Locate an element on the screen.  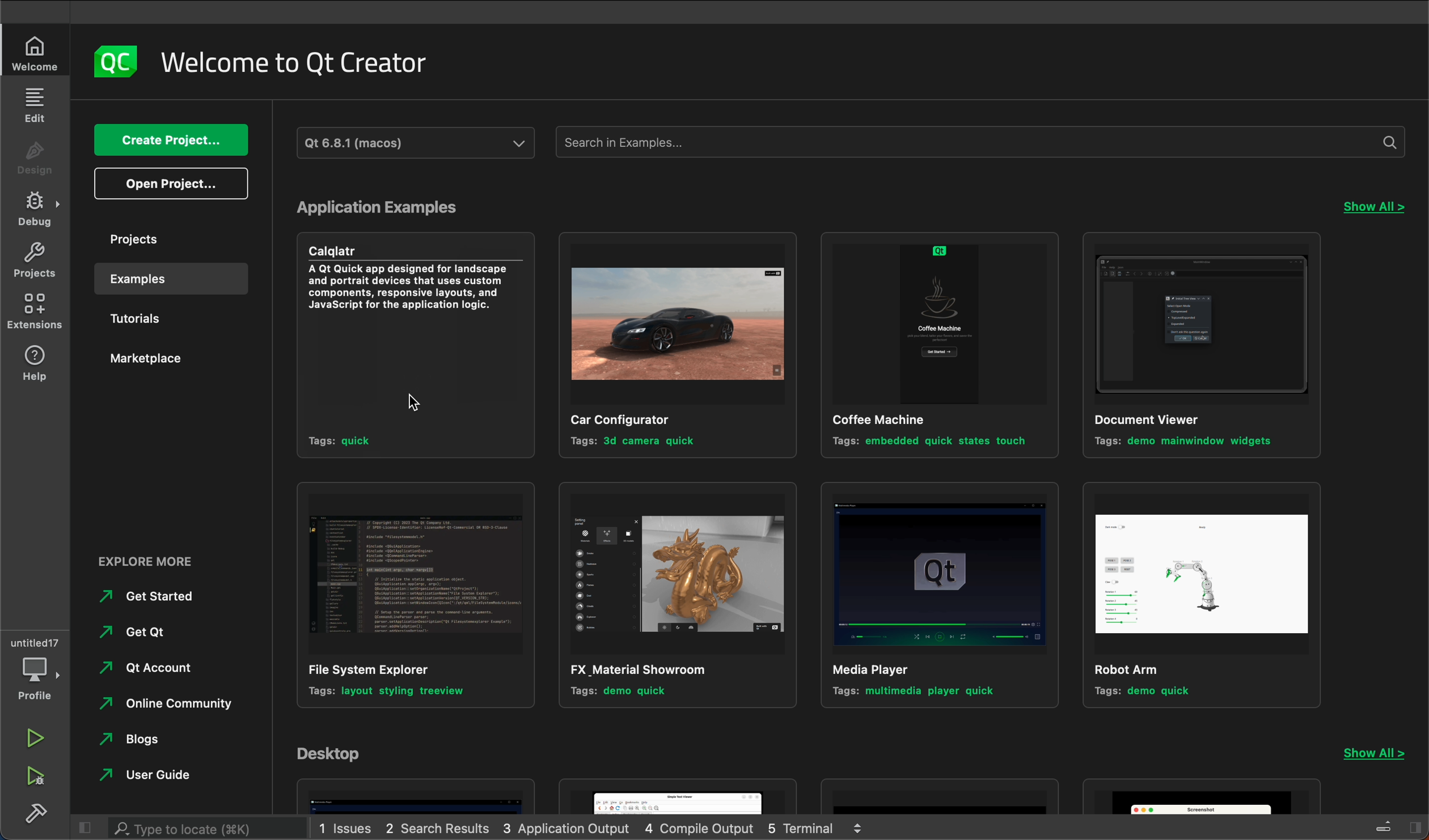
app is located at coordinates (942, 795).